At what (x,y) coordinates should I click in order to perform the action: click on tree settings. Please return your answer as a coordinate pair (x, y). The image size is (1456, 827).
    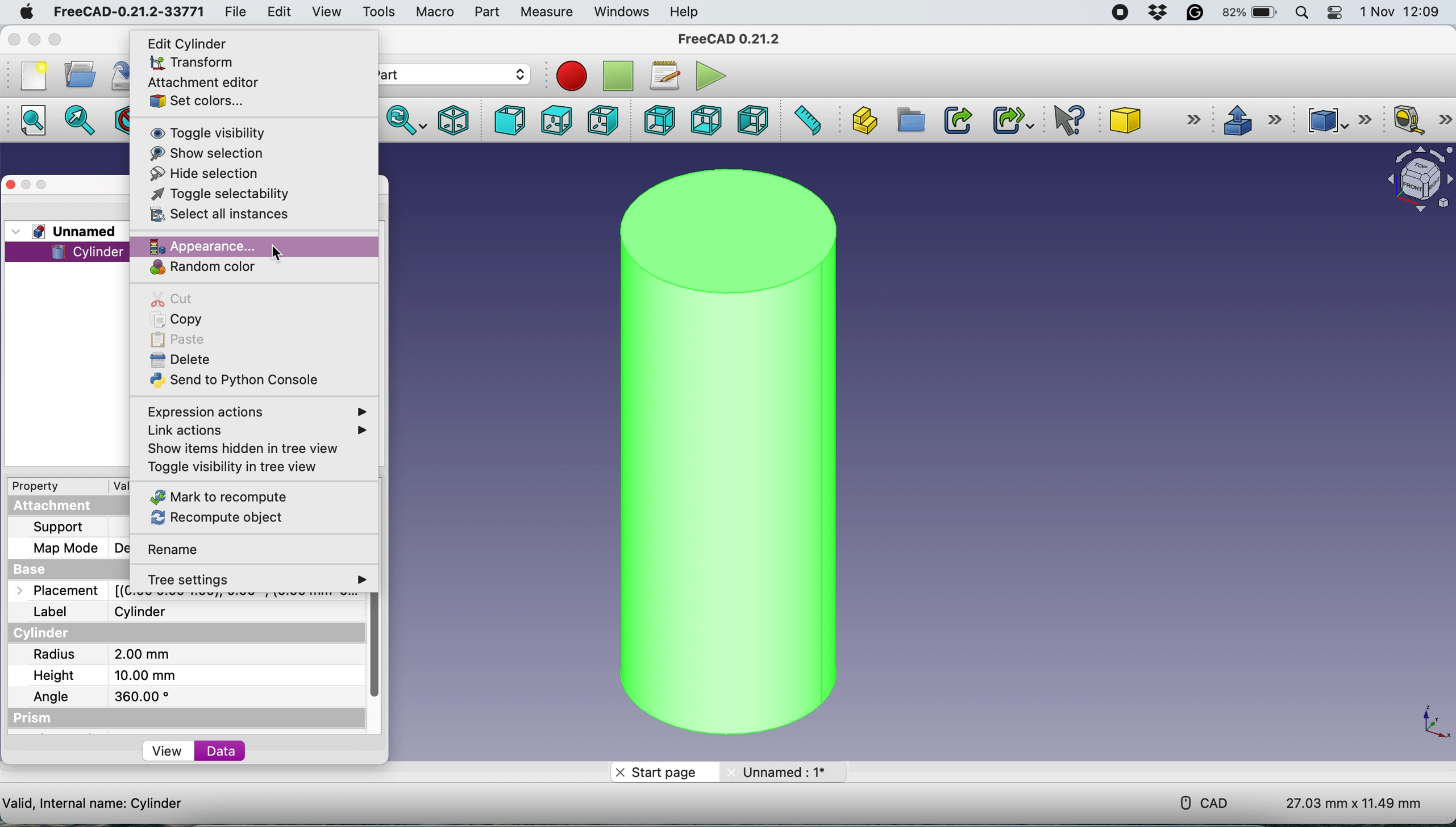
    Looking at the image, I should click on (194, 579).